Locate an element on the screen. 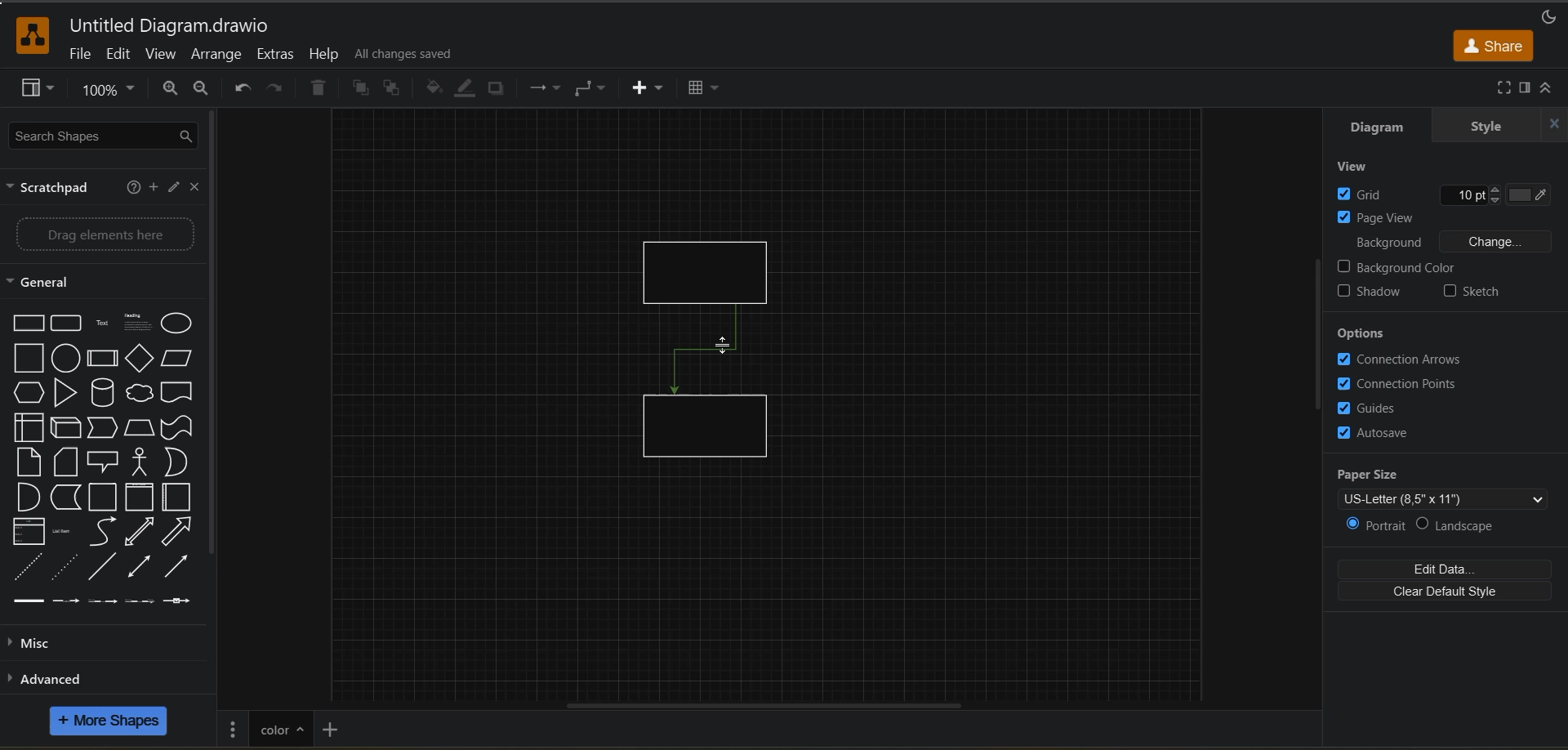  page title is located at coordinates (280, 727).